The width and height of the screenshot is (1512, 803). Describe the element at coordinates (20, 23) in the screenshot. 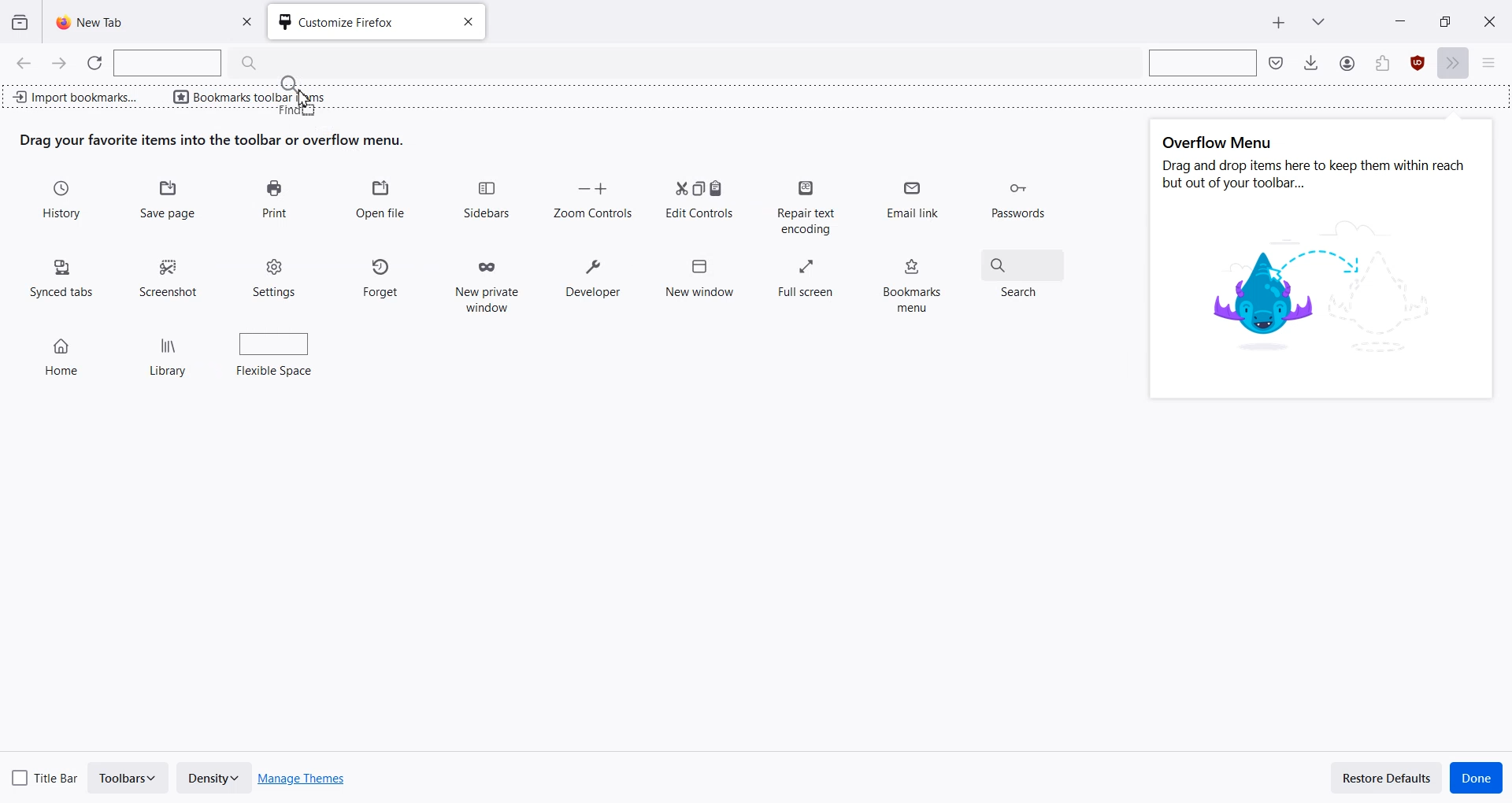

I see `View recent browsing` at that location.